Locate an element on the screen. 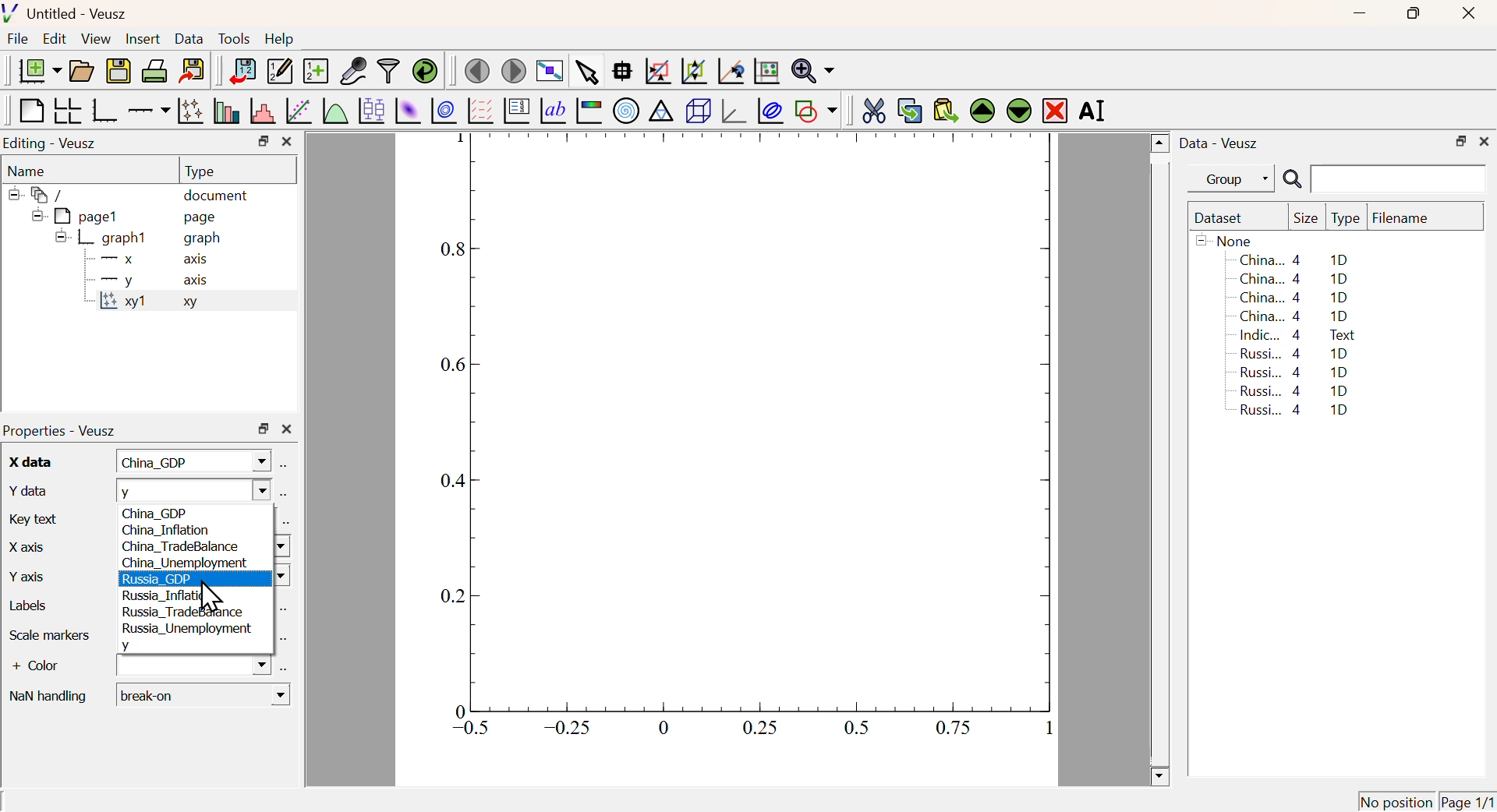 Image resolution: width=1497 pixels, height=812 pixels. No position is located at coordinates (1396, 800).